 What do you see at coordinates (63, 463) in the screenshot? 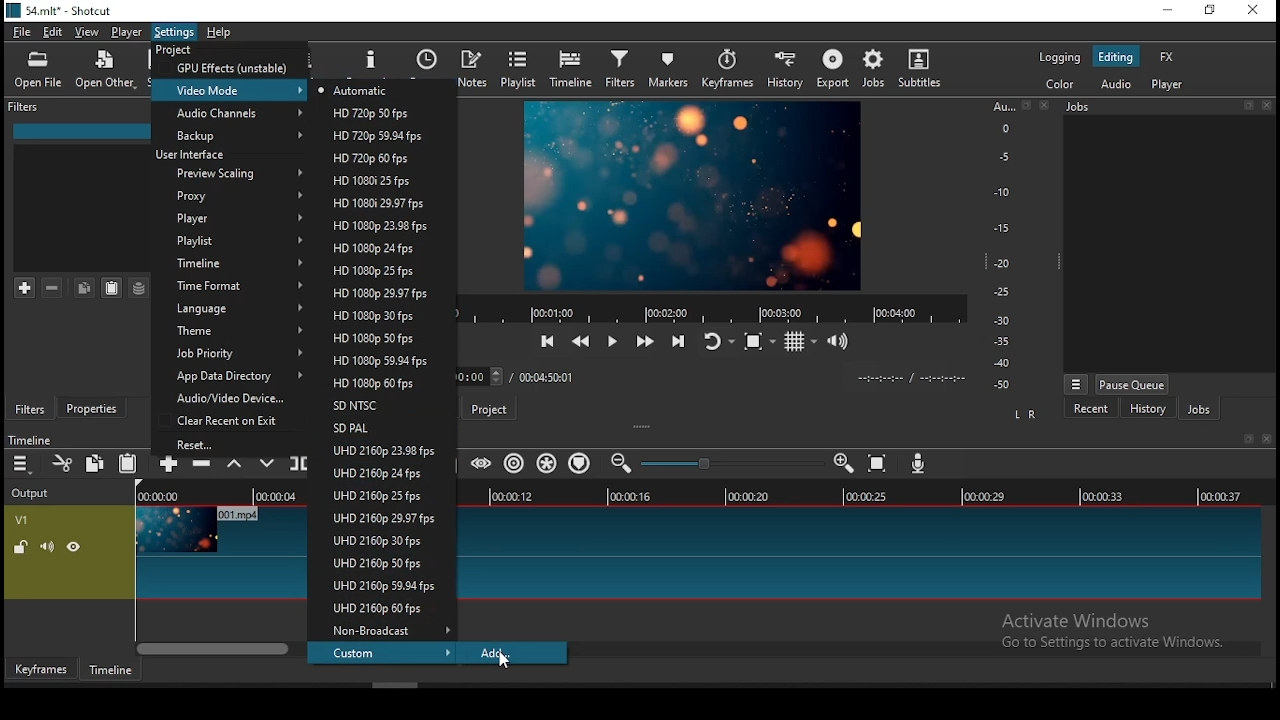
I see `cut` at bounding box center [63, 463].